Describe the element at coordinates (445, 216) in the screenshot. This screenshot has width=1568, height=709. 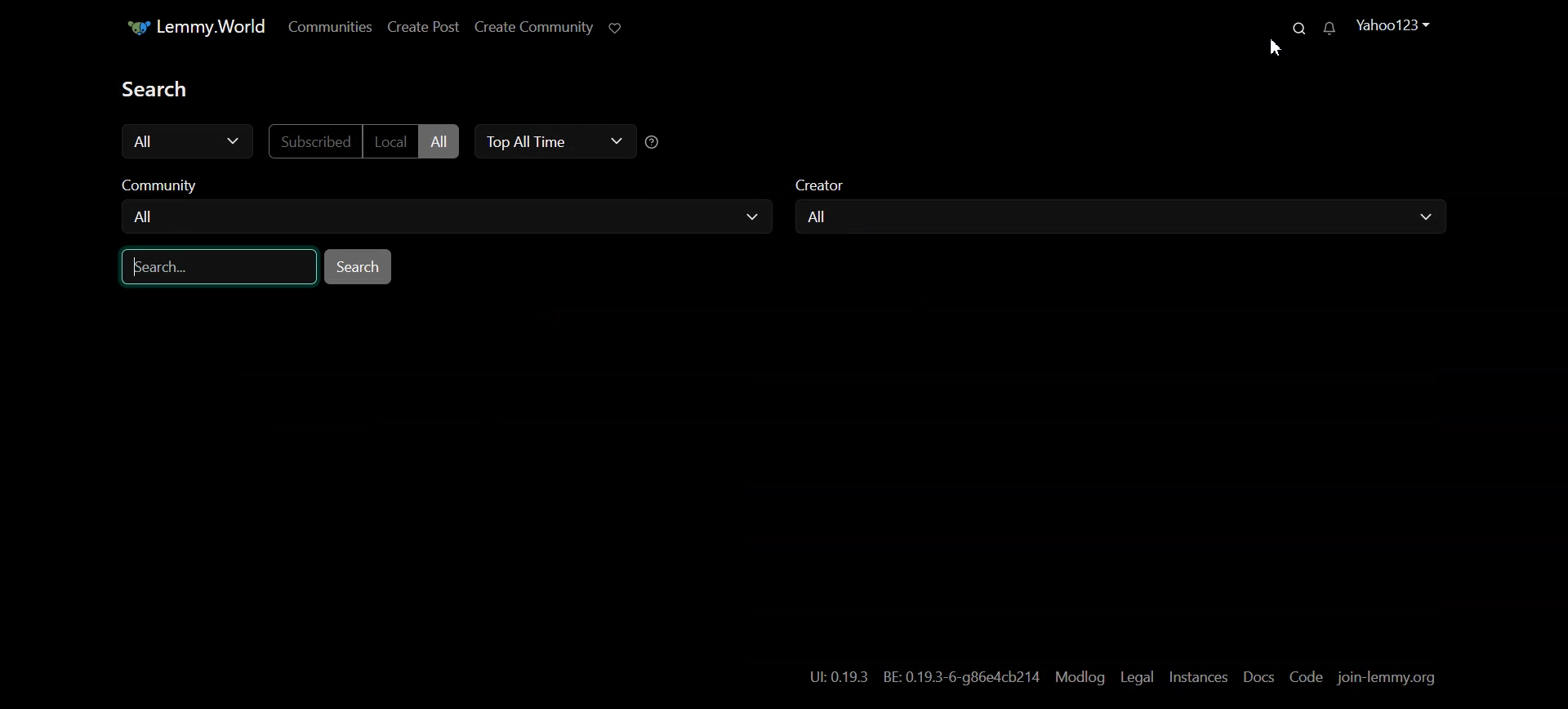
I see `All` at that location.